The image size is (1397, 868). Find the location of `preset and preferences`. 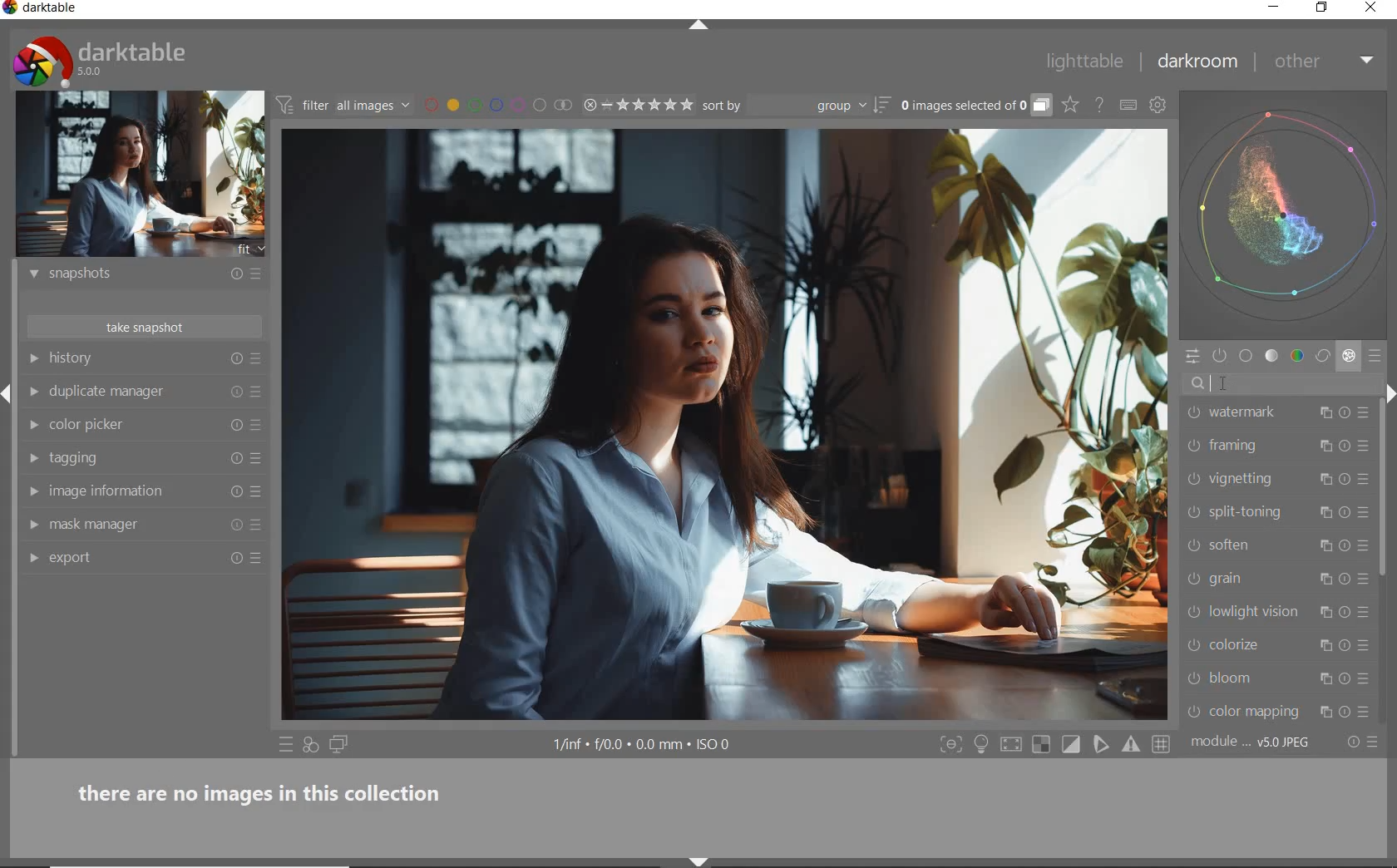

preset and preferences is located at coordinates (257, 392).